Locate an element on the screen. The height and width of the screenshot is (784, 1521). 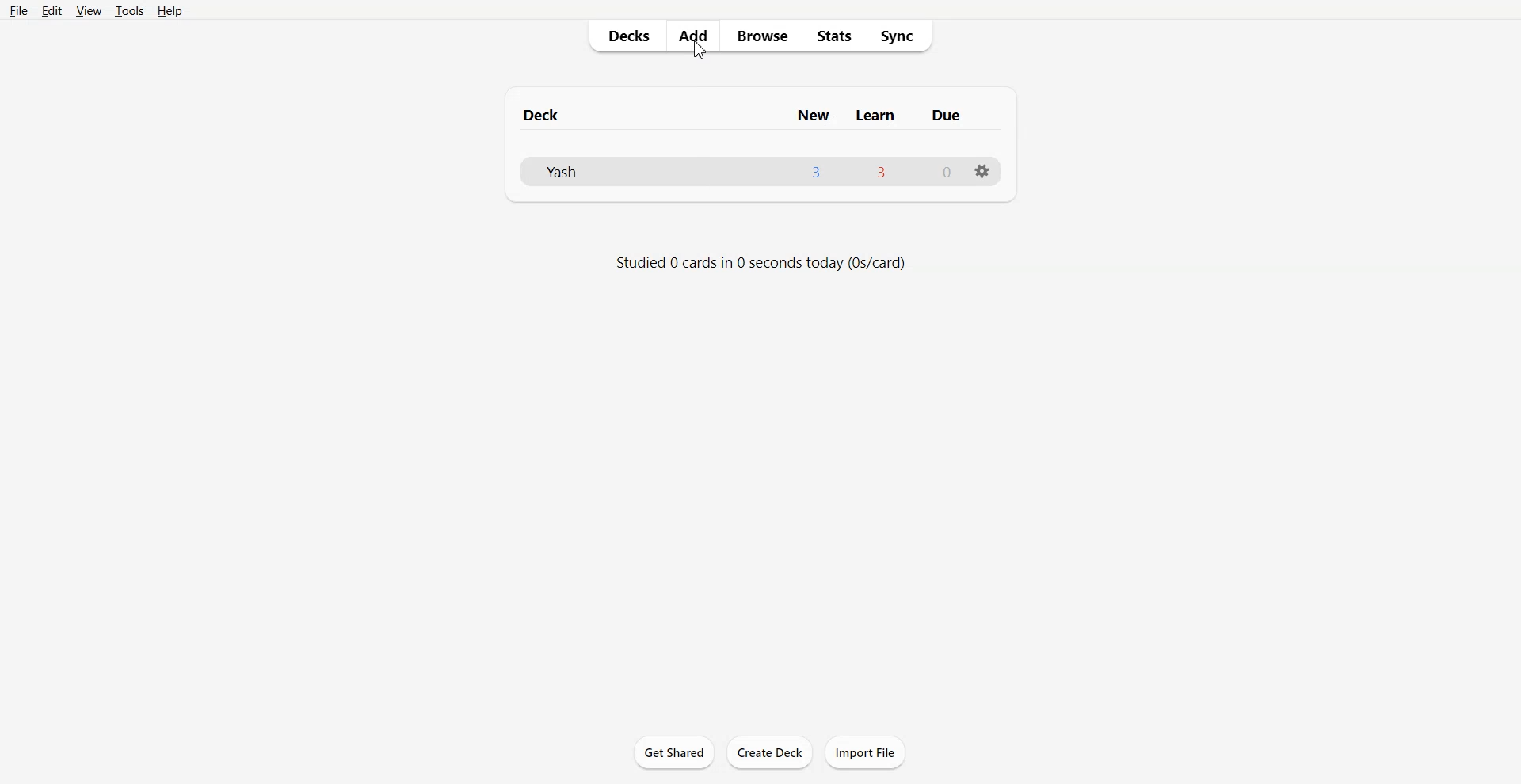
3 is located at coordinates (883, 172).